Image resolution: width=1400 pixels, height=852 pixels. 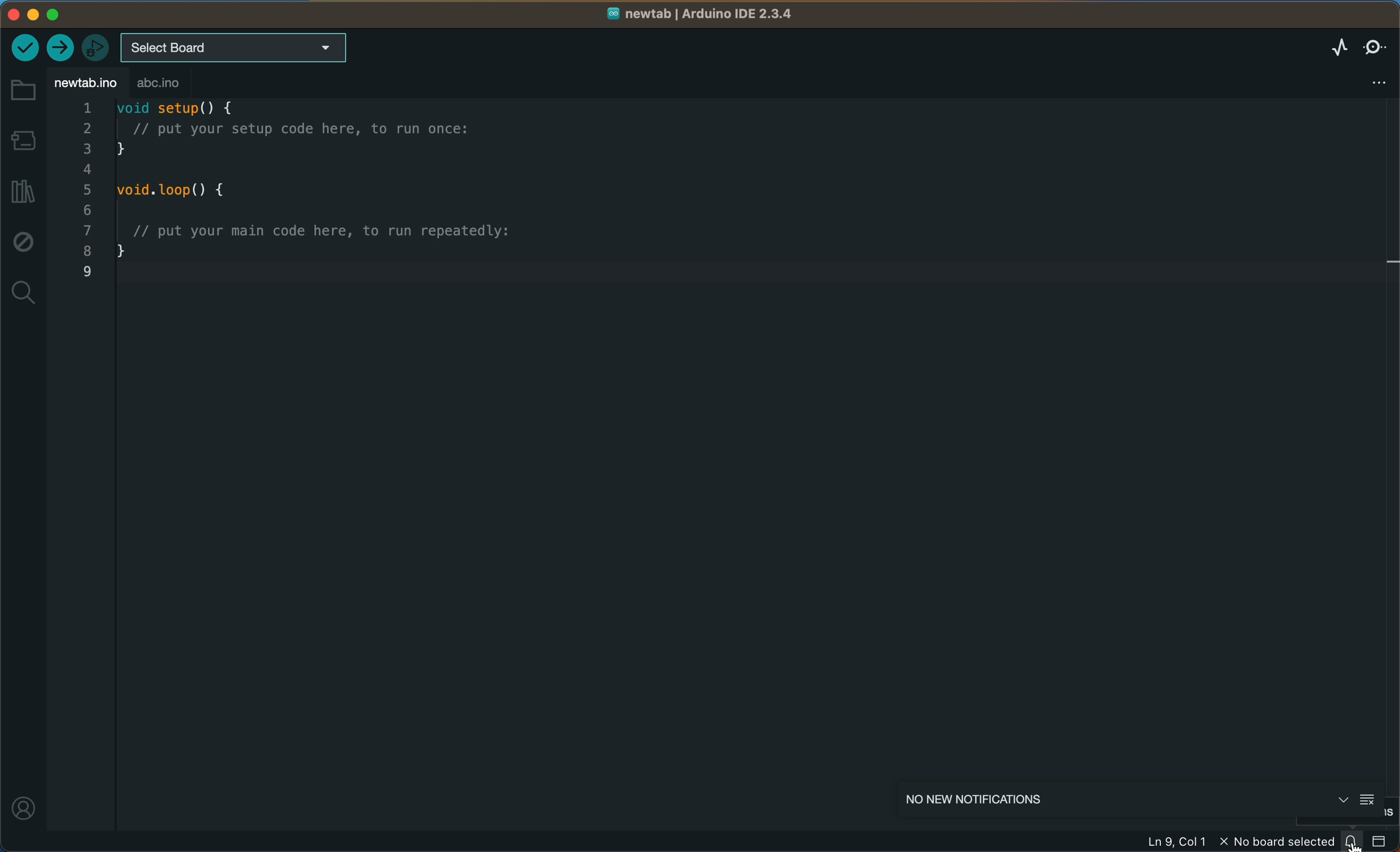 What do you see at coordinates (1339, 799) in the screenshot?
I see `close` at bounding box center [1339, 799].